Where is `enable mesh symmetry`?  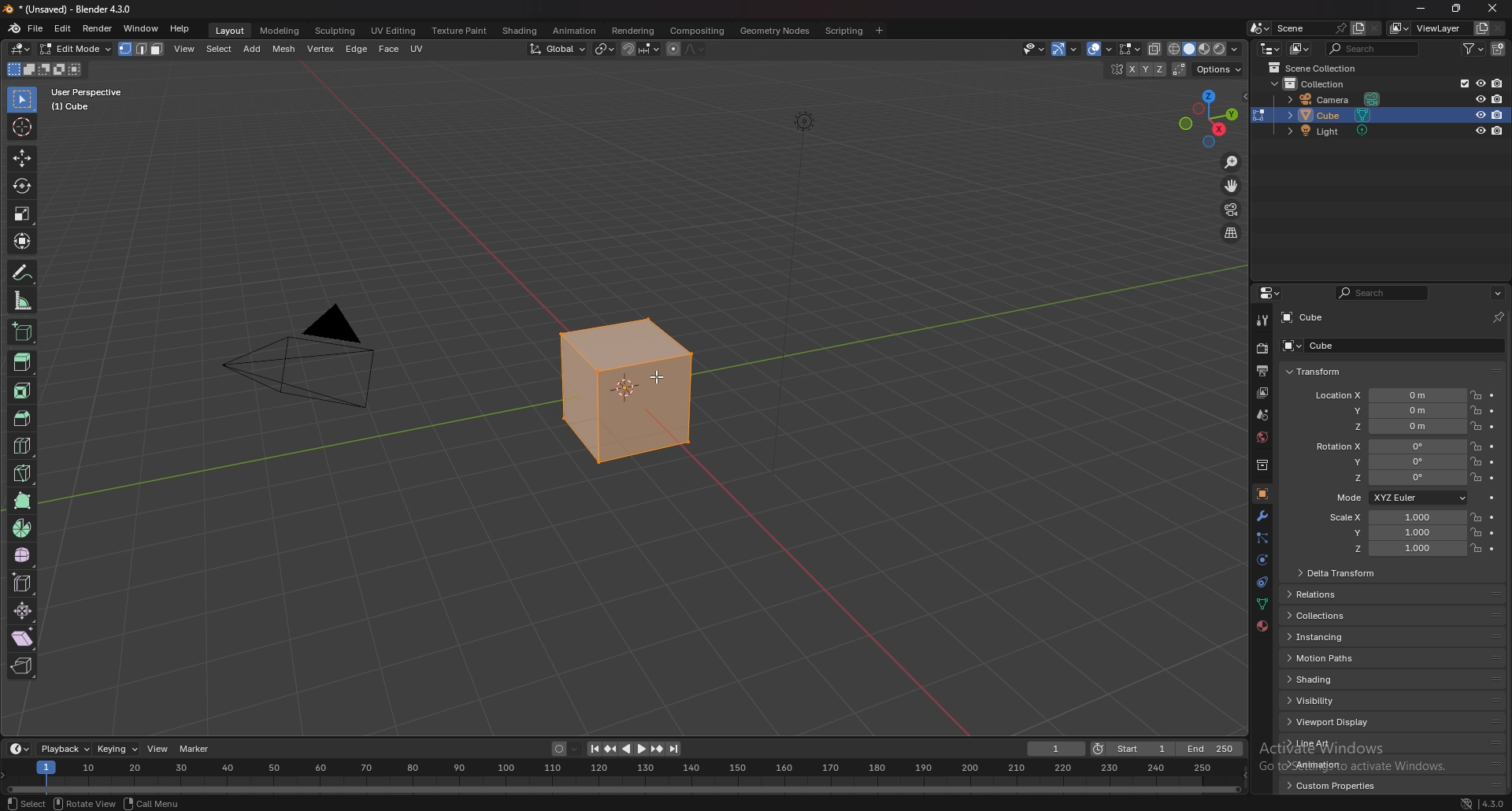
enable mesh symmetry is located at coordinates (1137, 70).